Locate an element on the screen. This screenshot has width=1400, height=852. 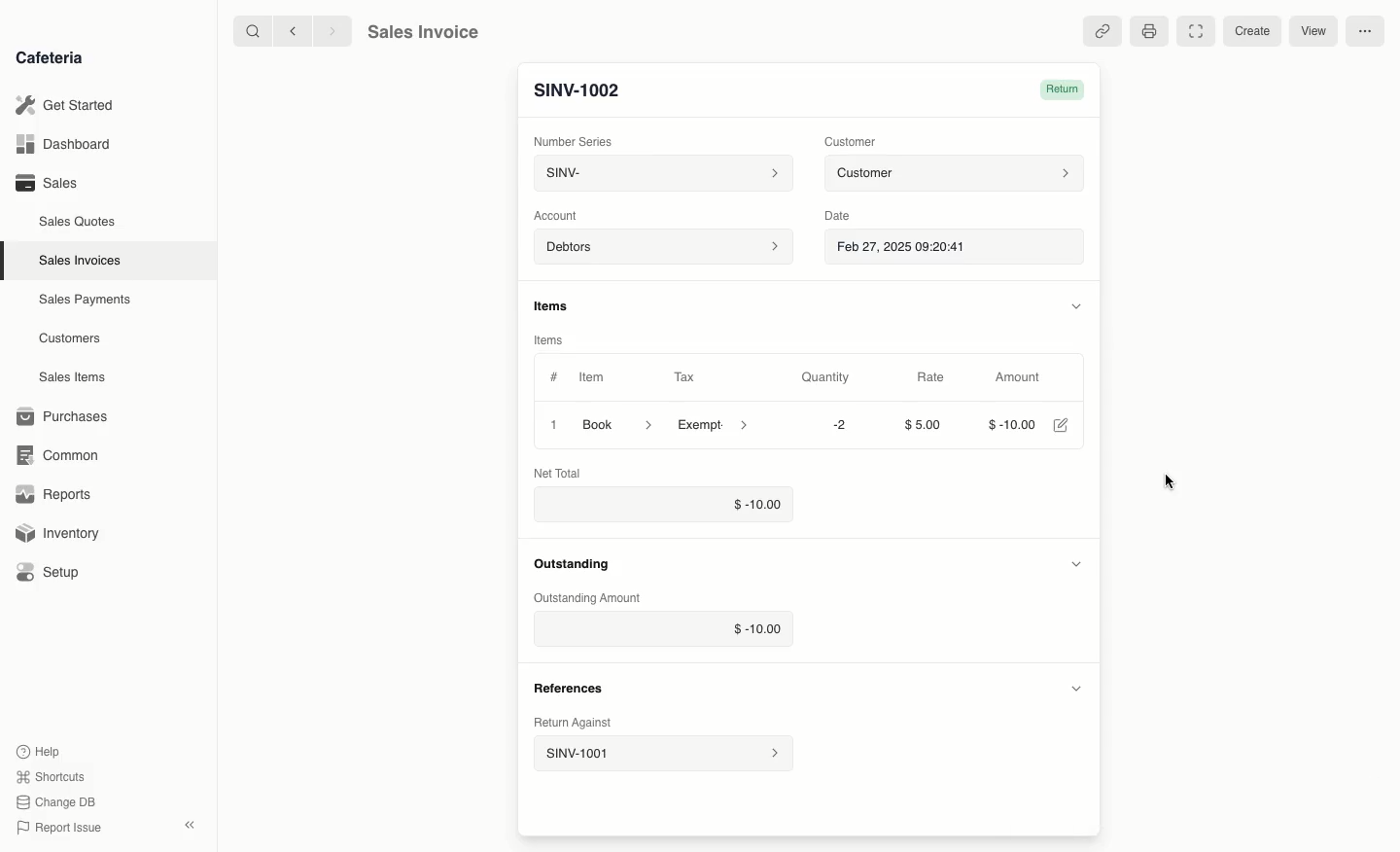
‘Number Series is located at coordinates (573, 139).